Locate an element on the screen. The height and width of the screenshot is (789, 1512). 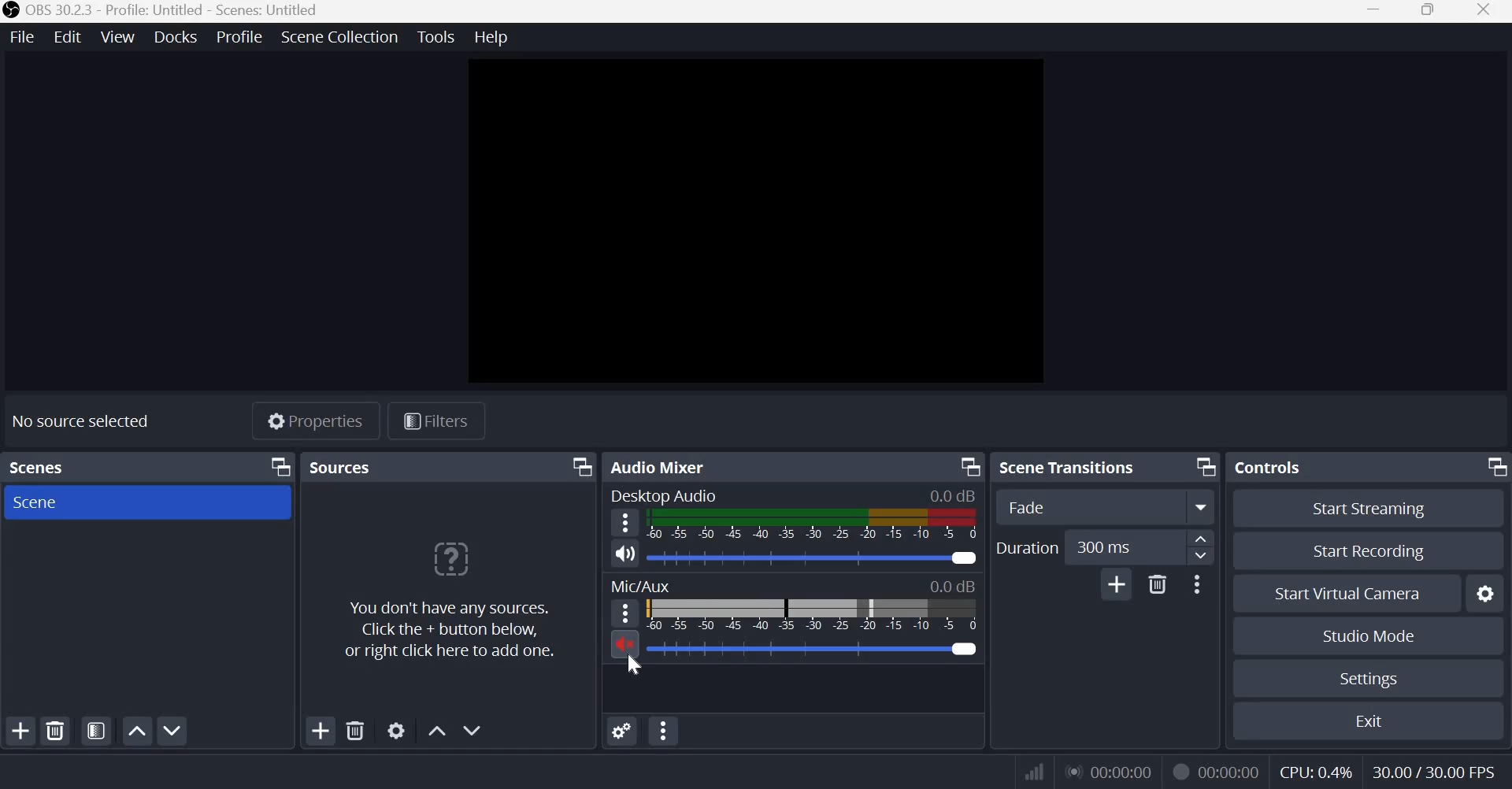
Move source(s) down is located at coordinates (472, 729).